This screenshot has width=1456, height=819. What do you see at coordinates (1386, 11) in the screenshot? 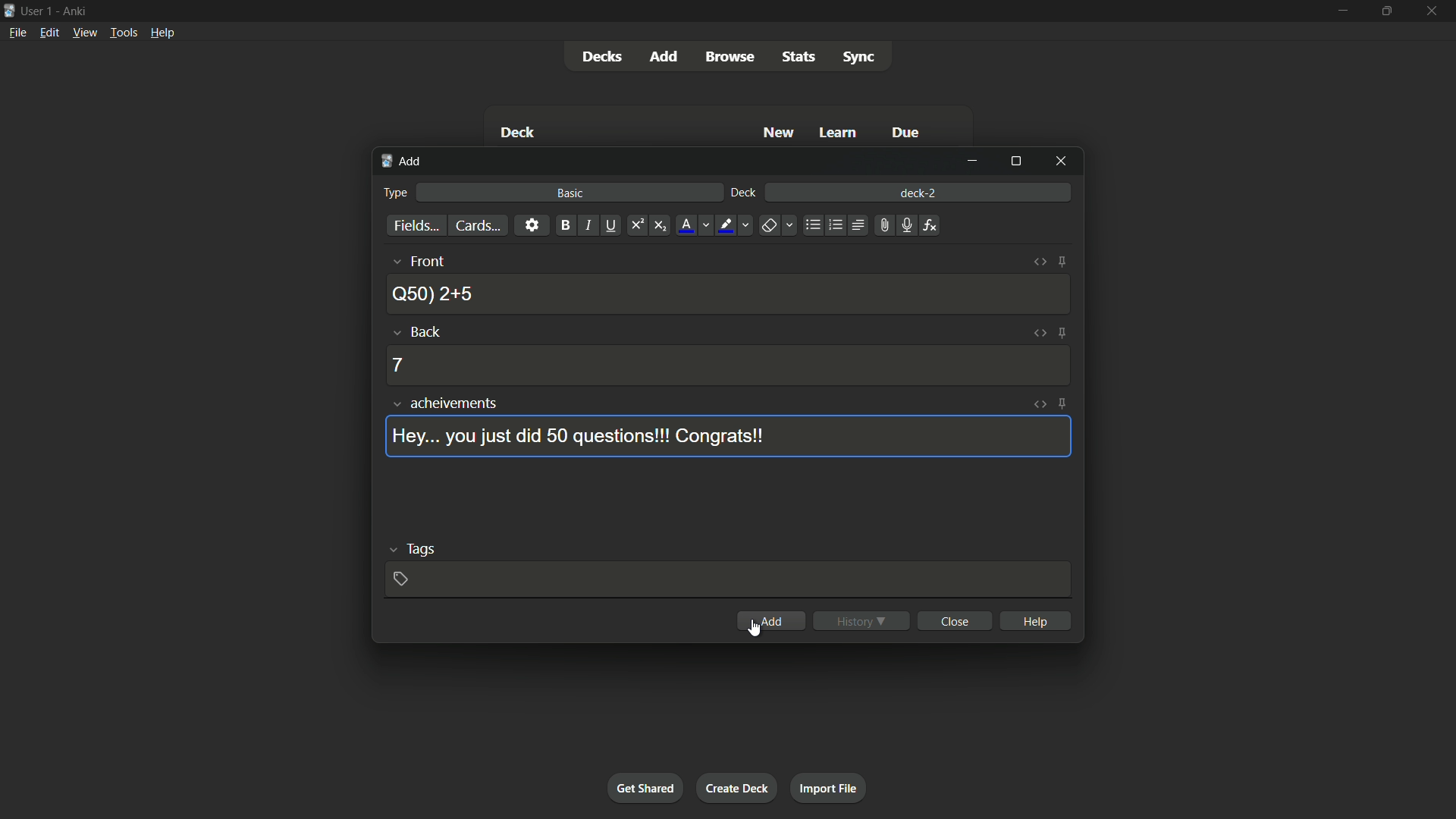
I see `maximize` at bounding box center [1386, 11].